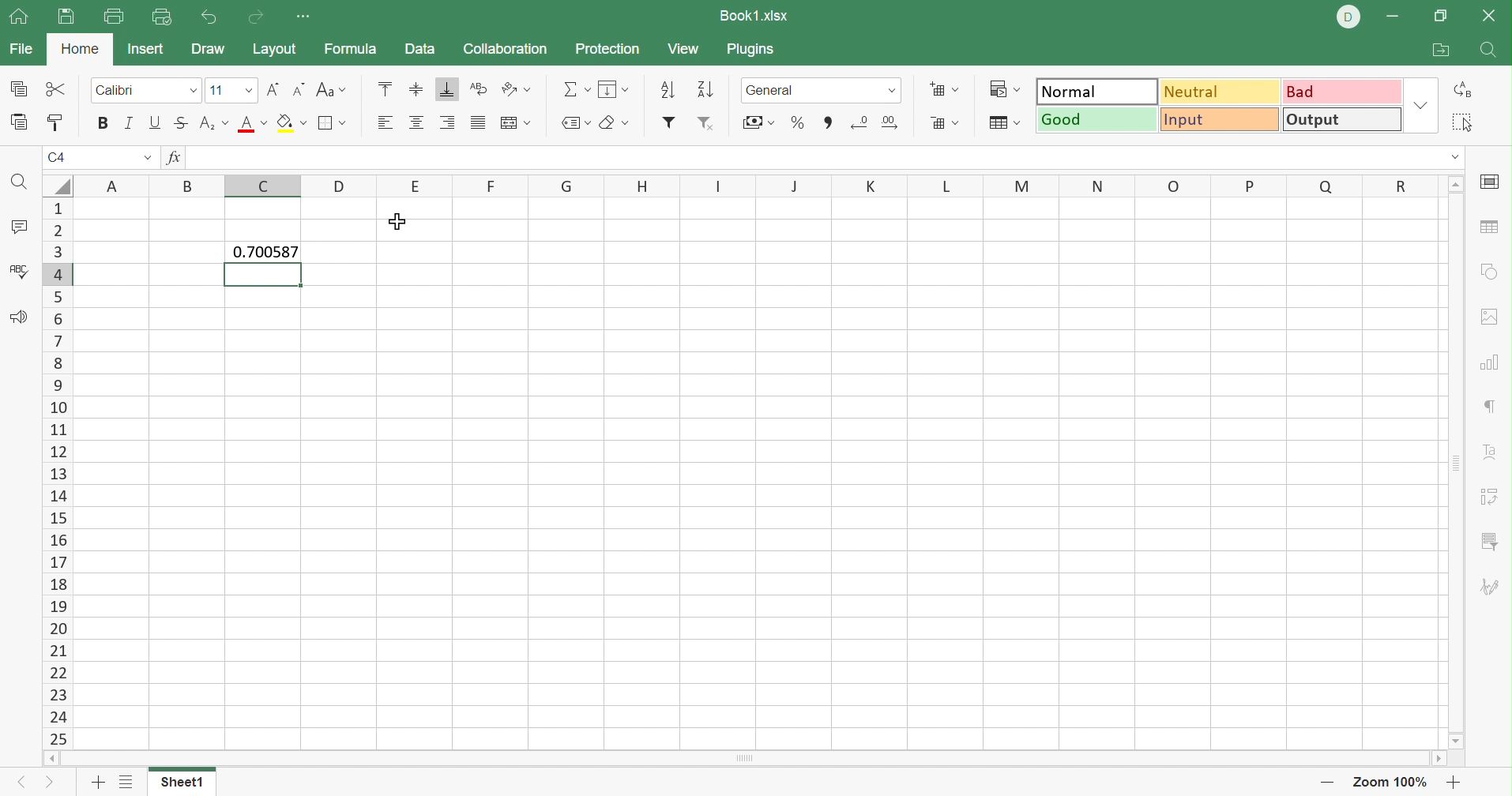 The image size is (1512, 796). I want to click on Font size, so click(232, 91).